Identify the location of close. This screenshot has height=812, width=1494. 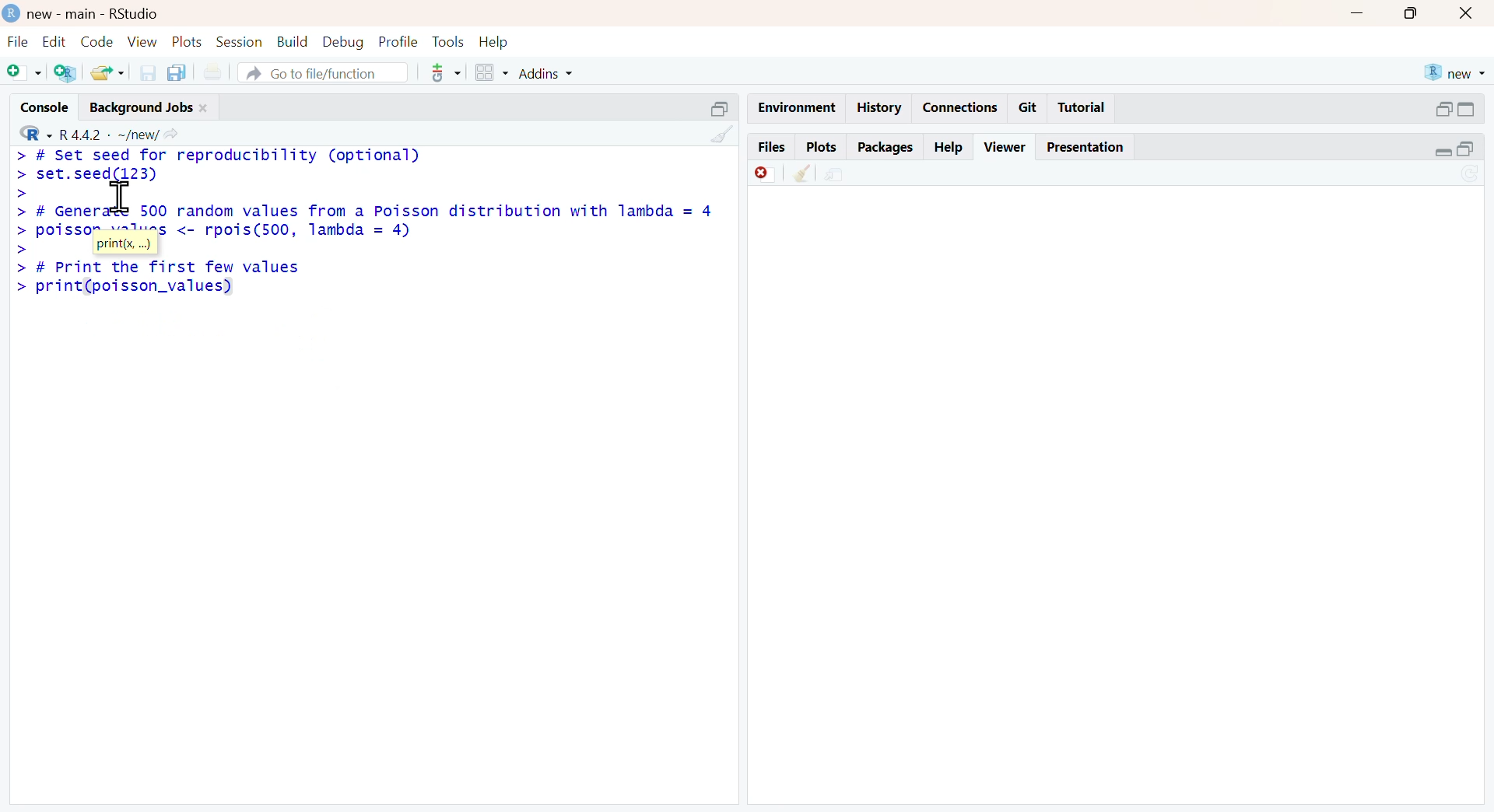
(205, 108).